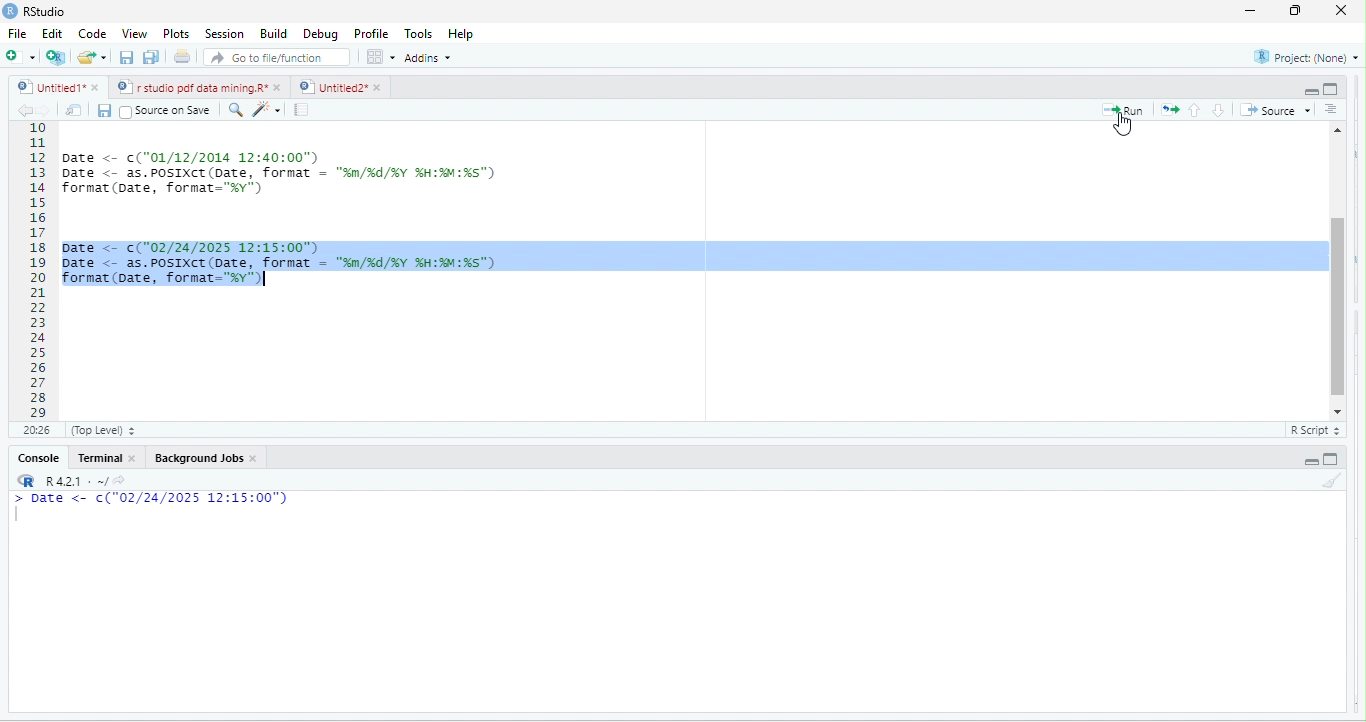 This screenshot has height=722, width=1366. Describe the element at coordinates (28, 481) in the screenshot. I see `rs studio logo` at that location.